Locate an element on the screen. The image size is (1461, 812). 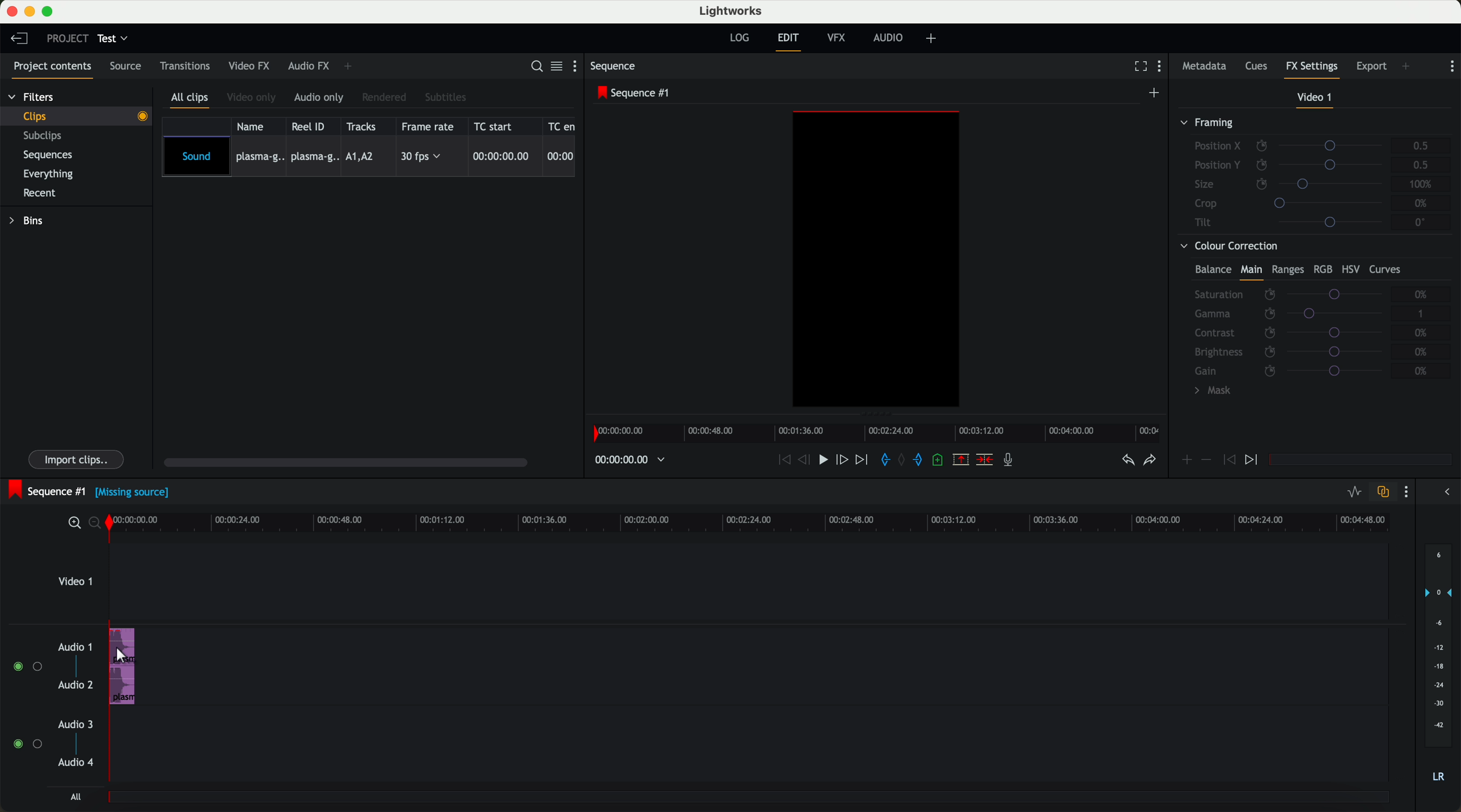
timeline is located at coordinates (880, 433).